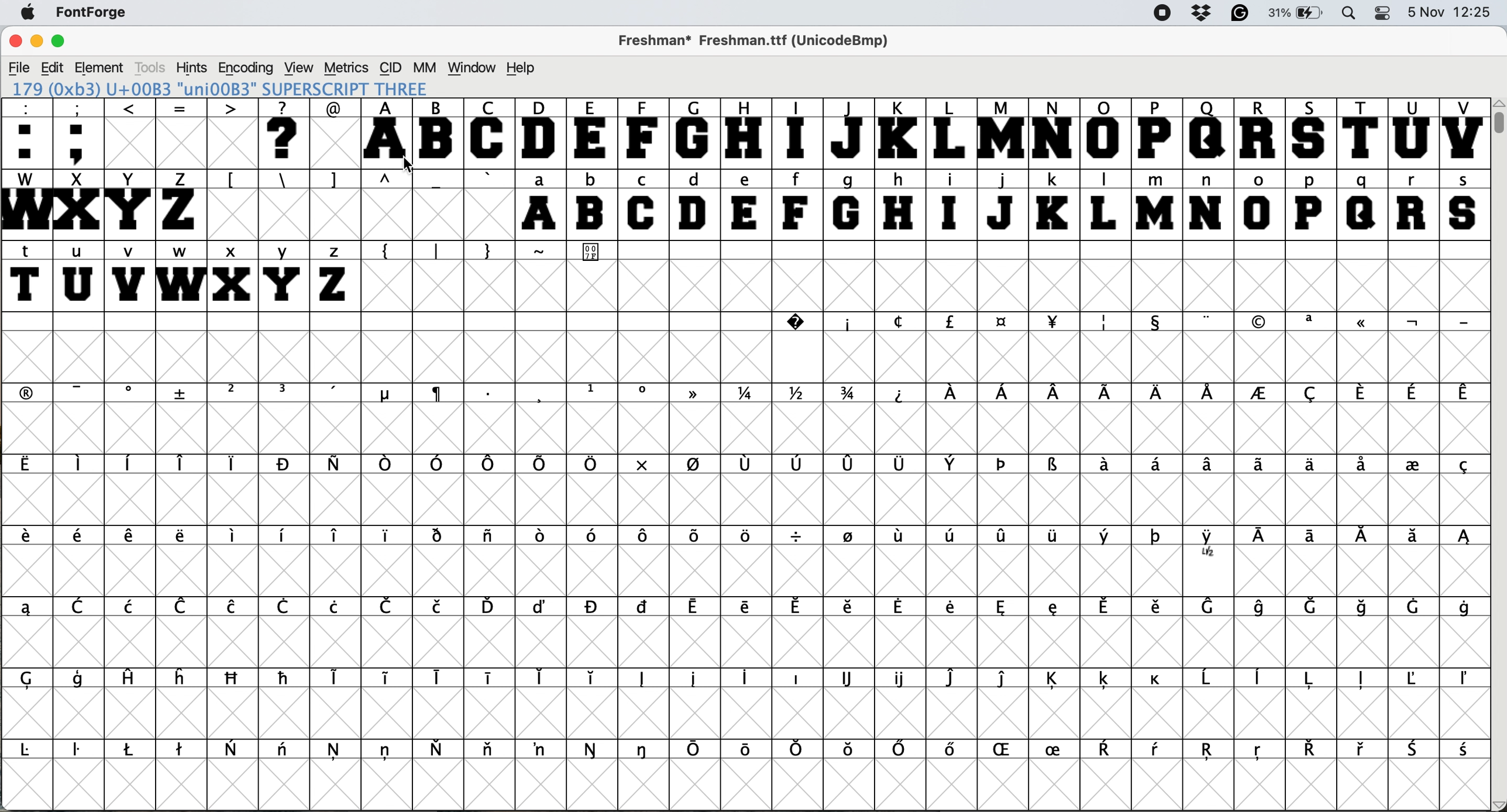 The height and width of the screenshot is (812, 1507). I want to click on symbol, so click(1007, 608).